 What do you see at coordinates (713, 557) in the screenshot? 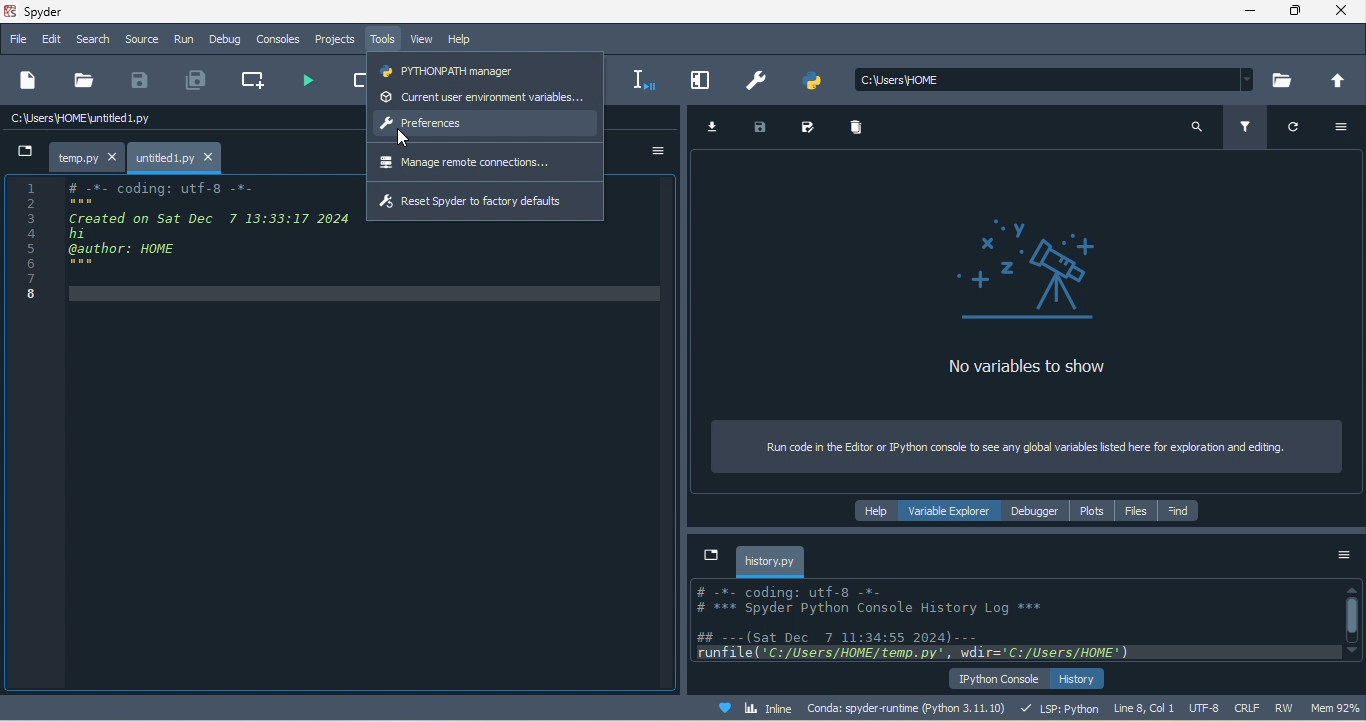
I see `browse tabs` at bounding box center [713, 557].